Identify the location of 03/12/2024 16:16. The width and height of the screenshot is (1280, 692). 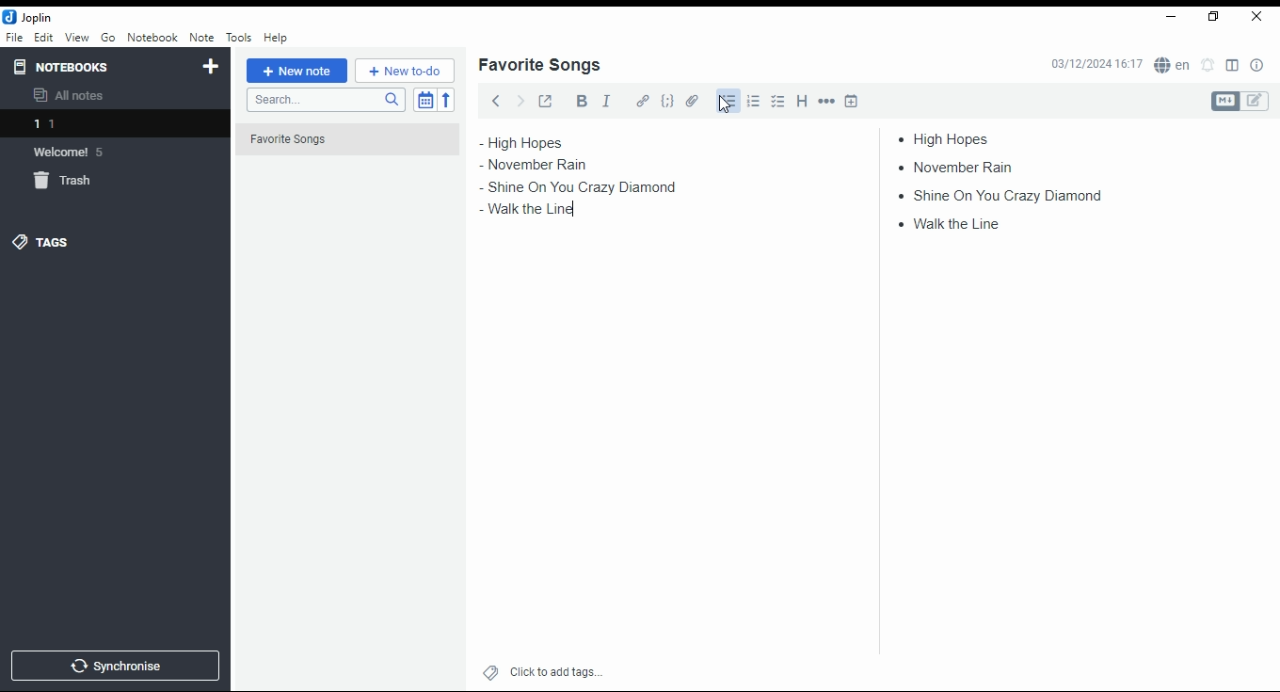
(1096, 64).